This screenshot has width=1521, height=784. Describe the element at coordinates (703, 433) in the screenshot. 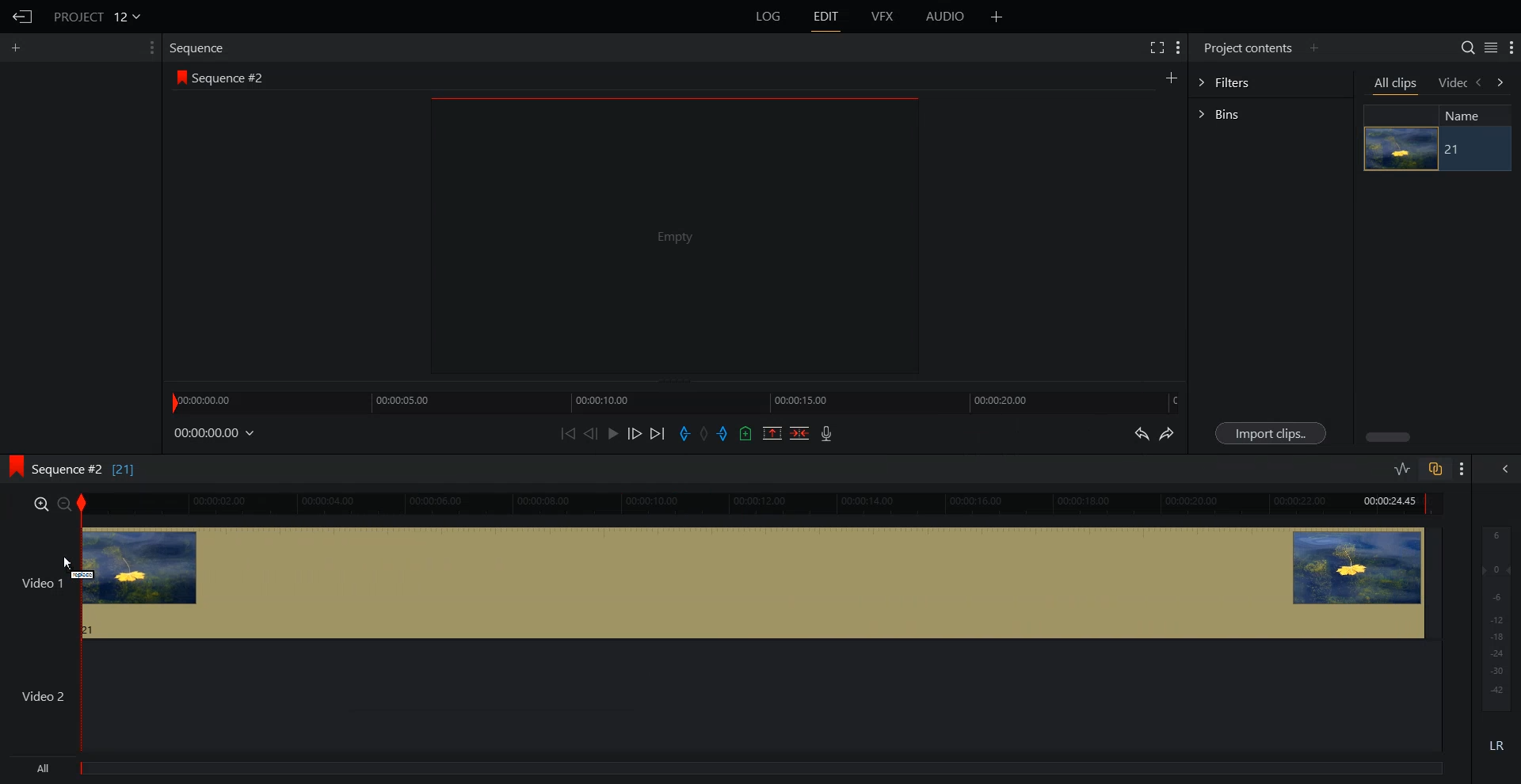

I see `Clear All Marks` at that location.